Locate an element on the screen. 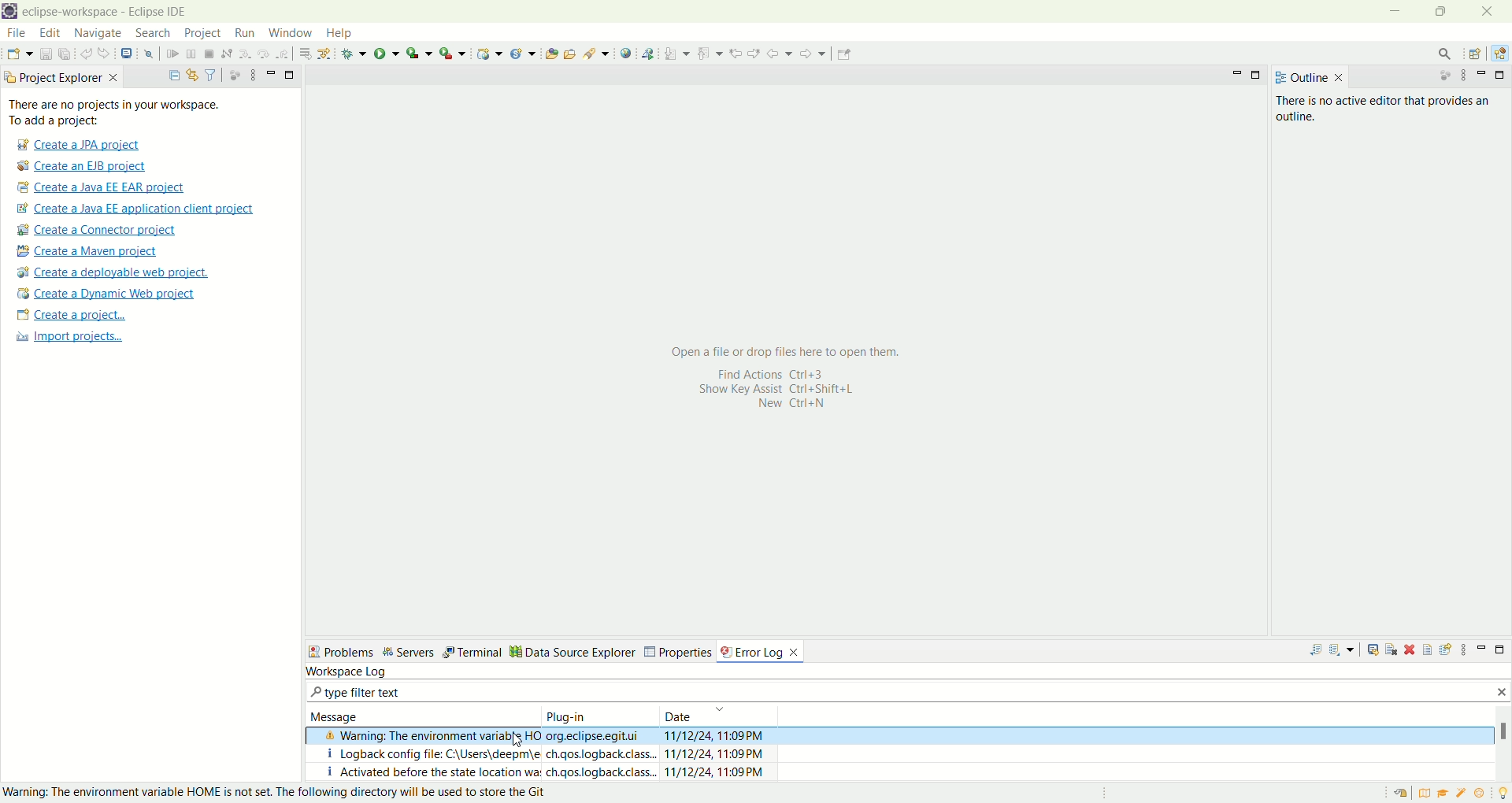  link with editor is located at coordinates (191, 73).